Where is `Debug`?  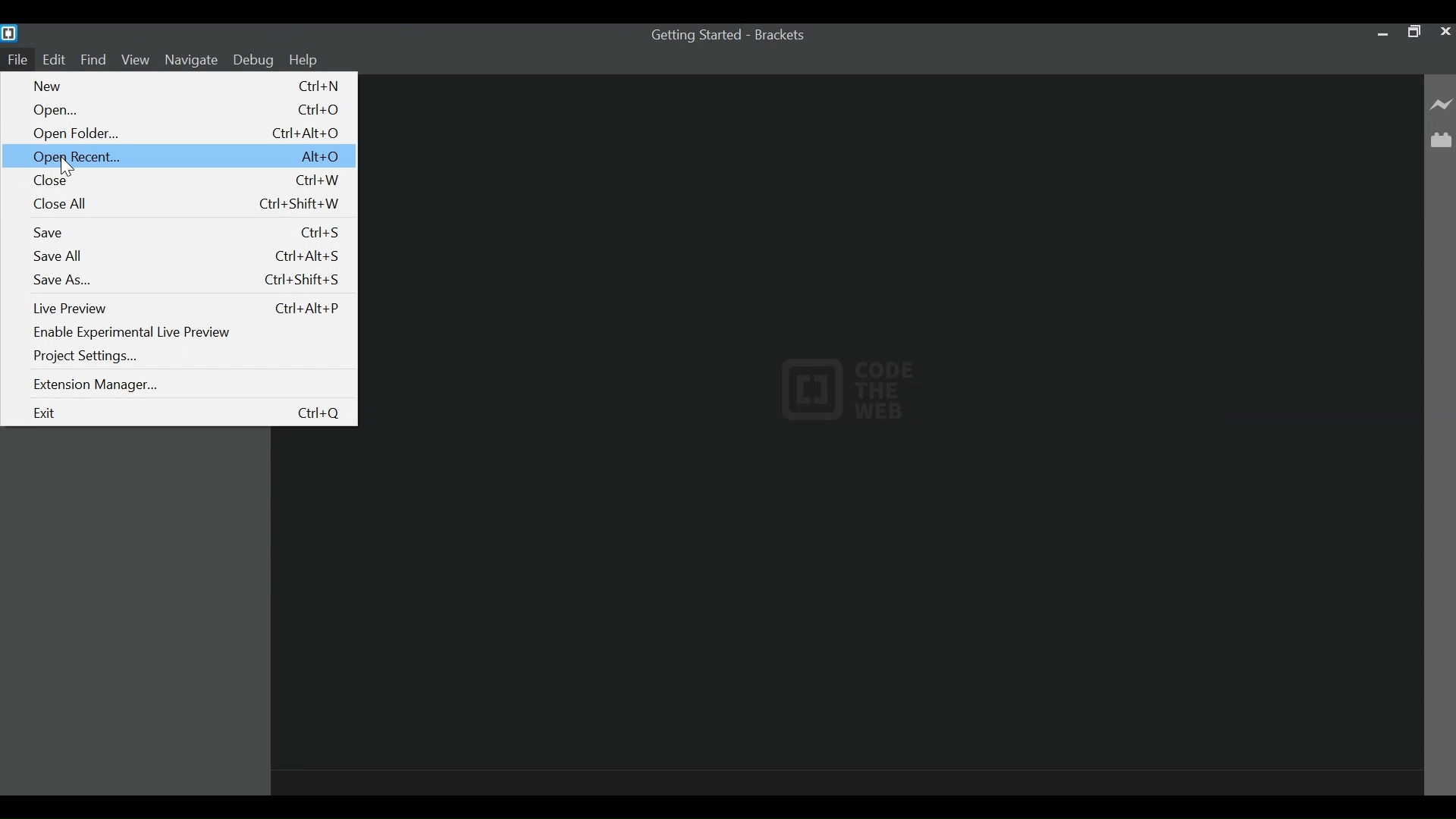 Debug is located at coordinates (253, 60).